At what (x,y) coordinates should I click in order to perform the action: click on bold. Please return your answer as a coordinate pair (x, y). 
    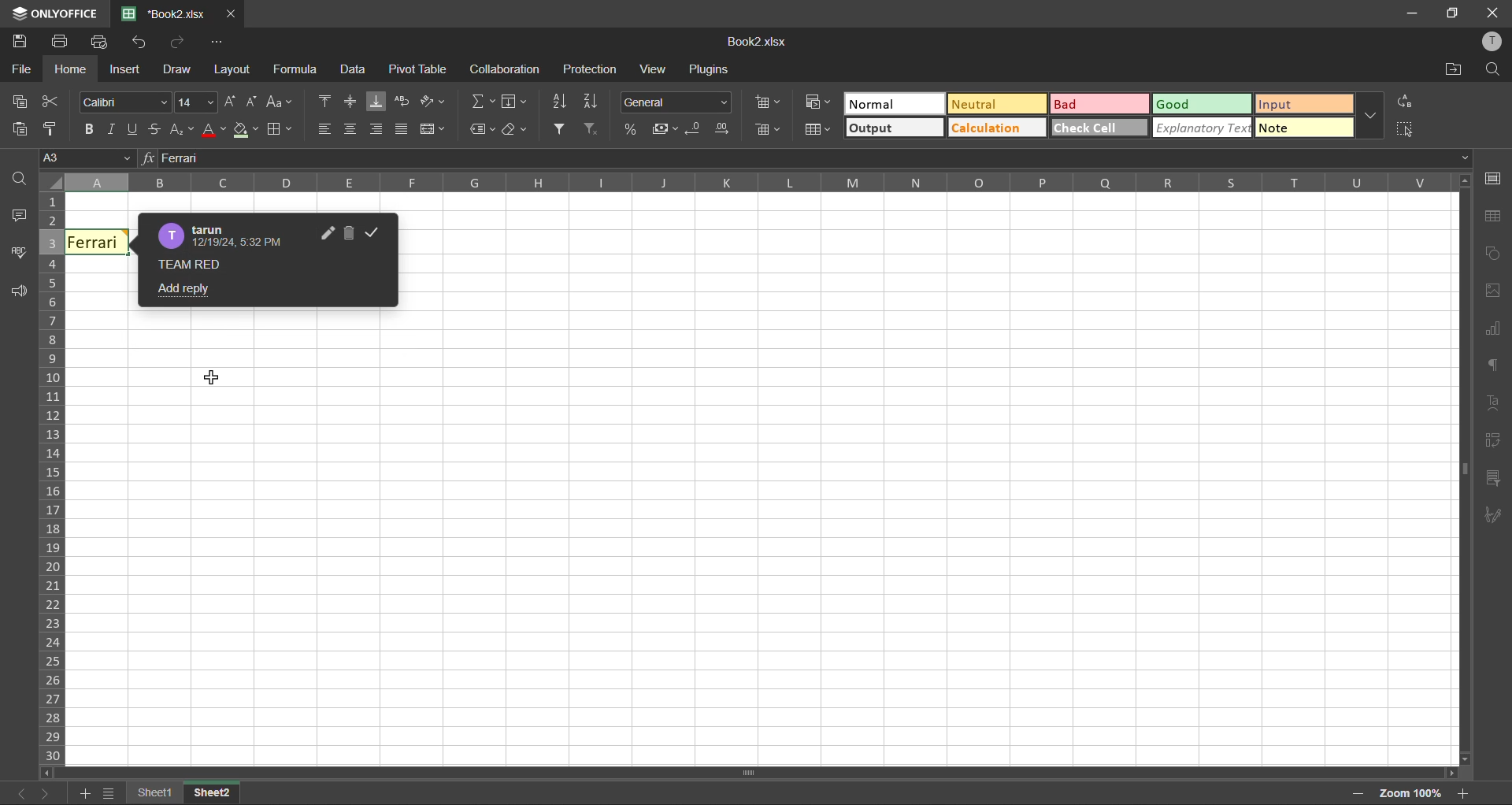
    Looking at the image, I should click on (88, 131).